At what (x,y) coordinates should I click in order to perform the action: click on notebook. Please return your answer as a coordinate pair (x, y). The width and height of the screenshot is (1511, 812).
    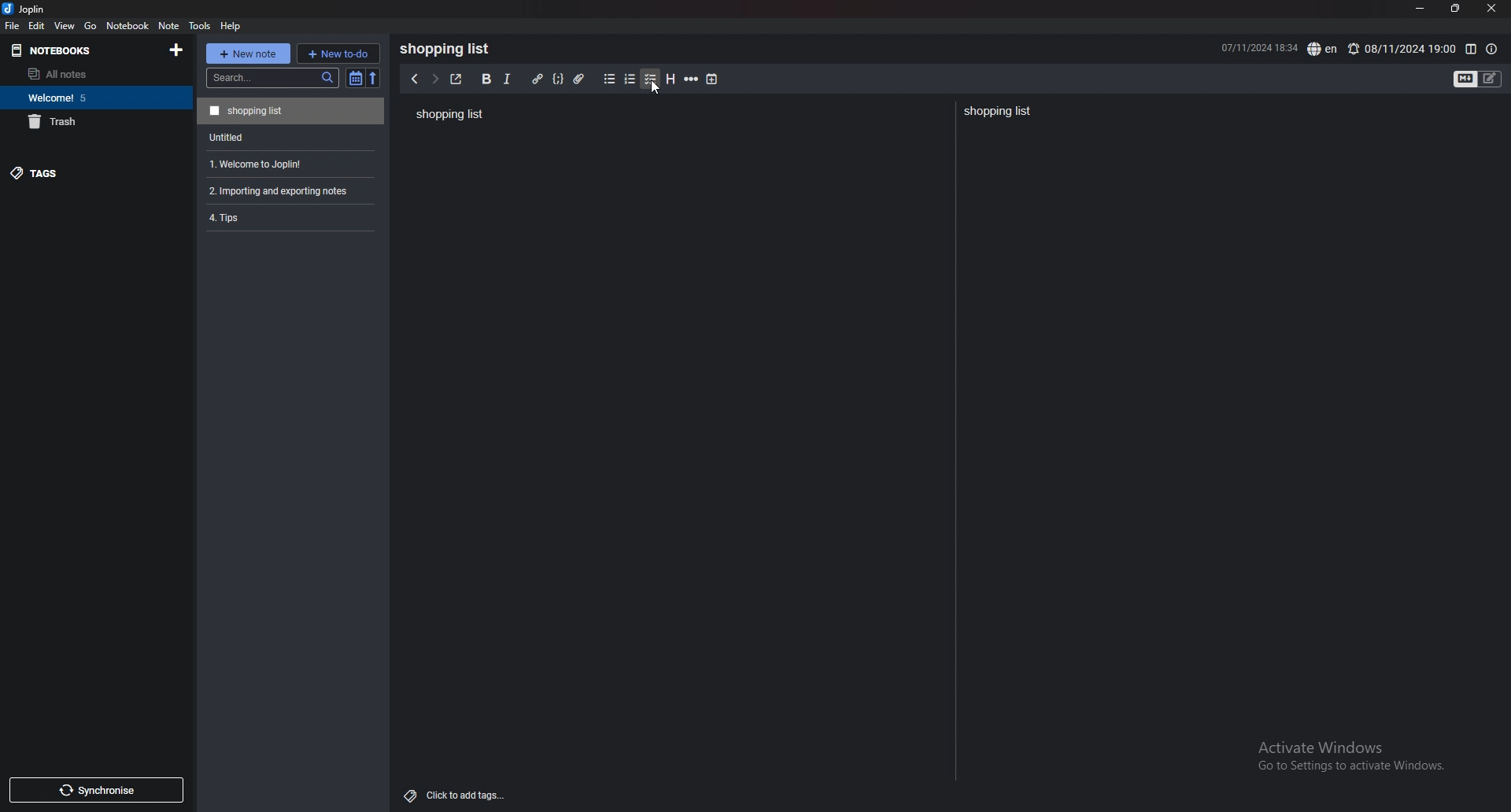
    Looking at the image, I should click on (128, 25).